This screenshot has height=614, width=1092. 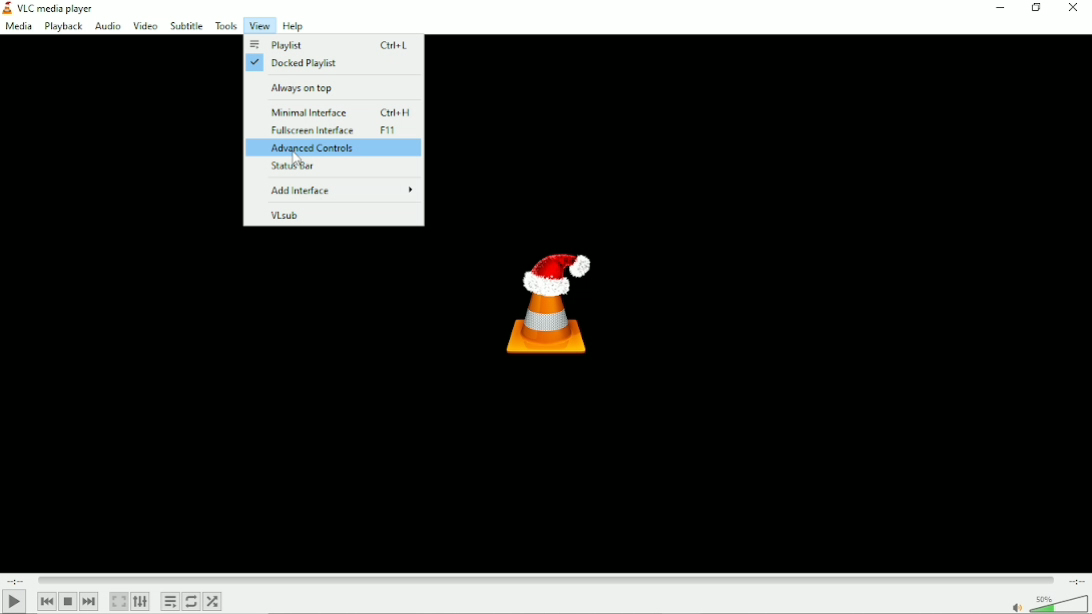 What do you see at coordinates (214, 601) in the screenshot?
I see `Random` at bounding box center [214, 601].